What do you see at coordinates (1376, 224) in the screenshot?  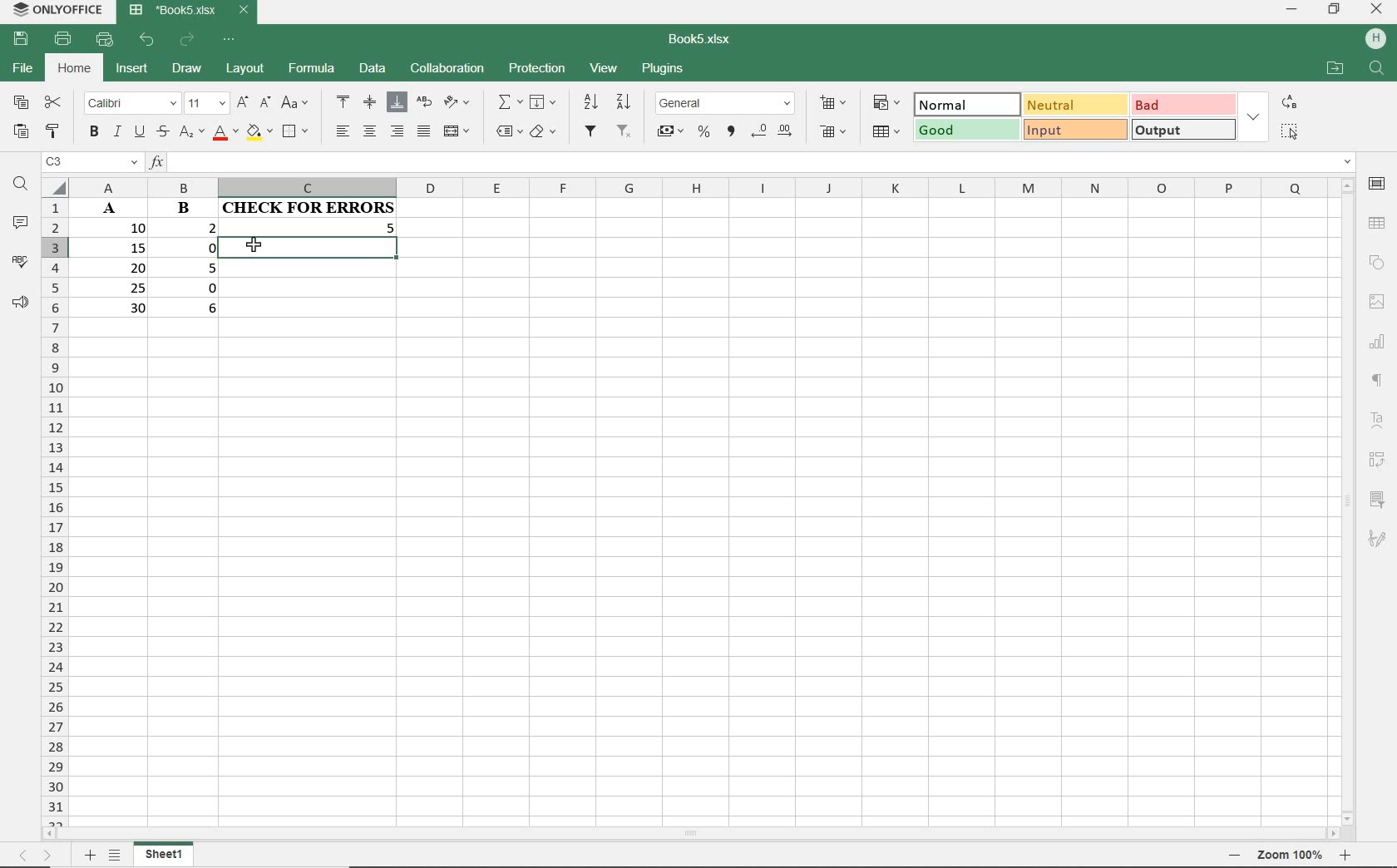 I see `TABLE` at bounding box center [1376, 224].